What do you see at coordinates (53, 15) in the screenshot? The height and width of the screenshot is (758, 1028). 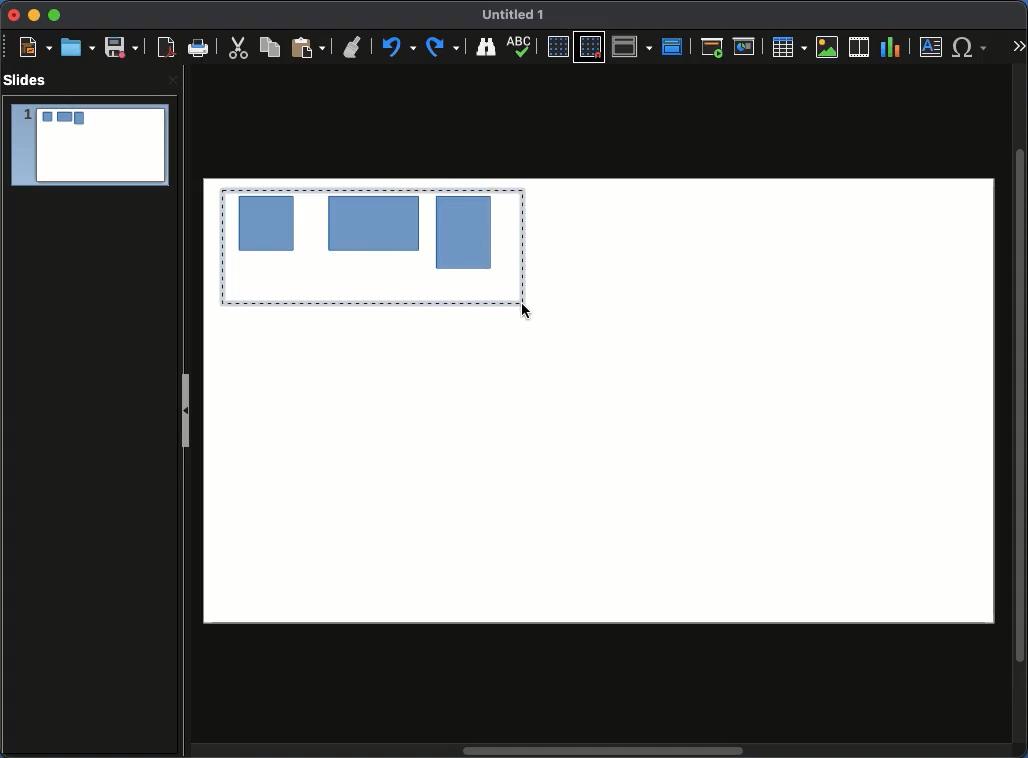 I see `Maximize` at bounding box center [53, 15].